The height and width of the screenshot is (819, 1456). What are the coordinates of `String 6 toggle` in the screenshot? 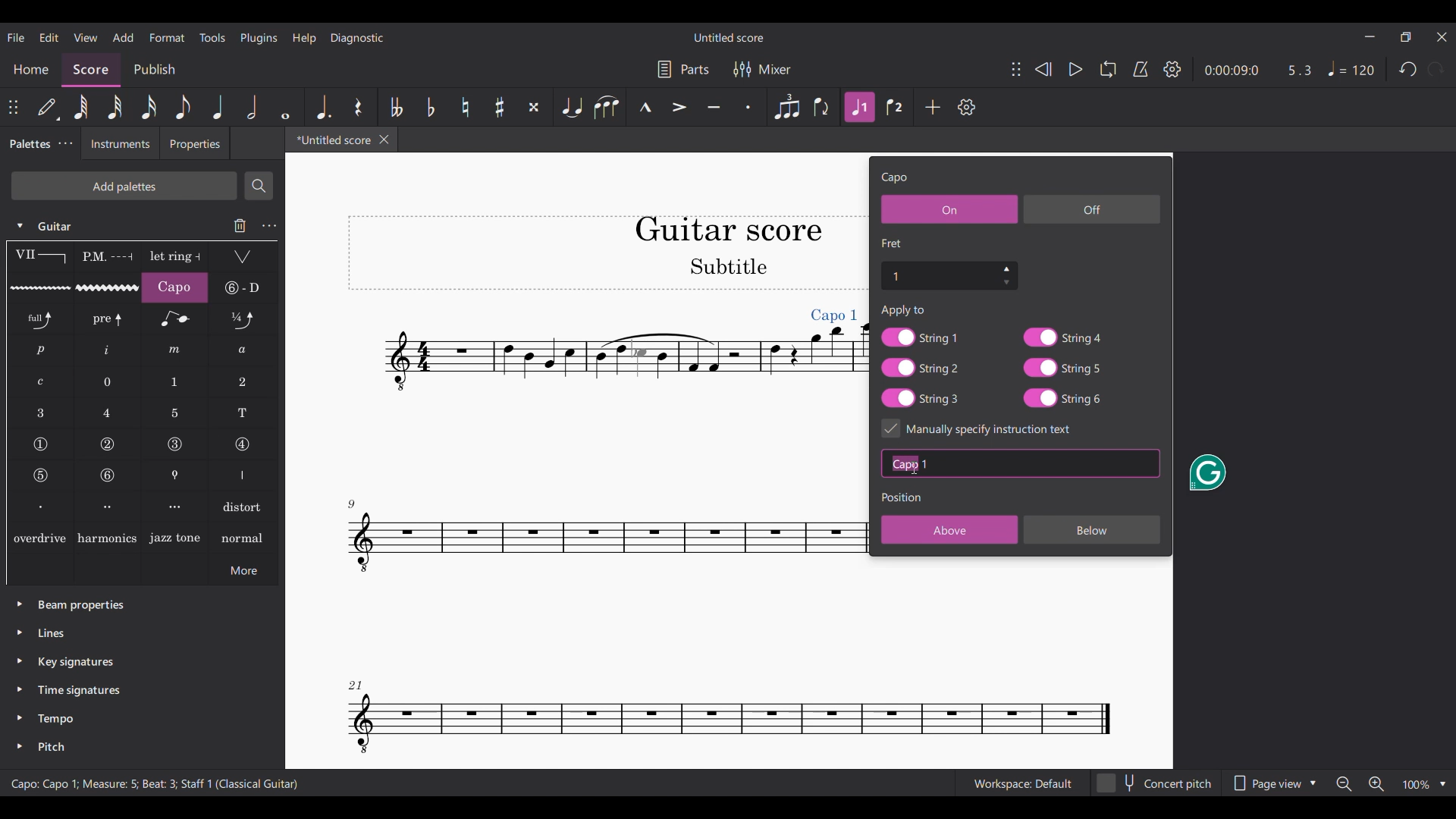 It's located at (1064, 398).